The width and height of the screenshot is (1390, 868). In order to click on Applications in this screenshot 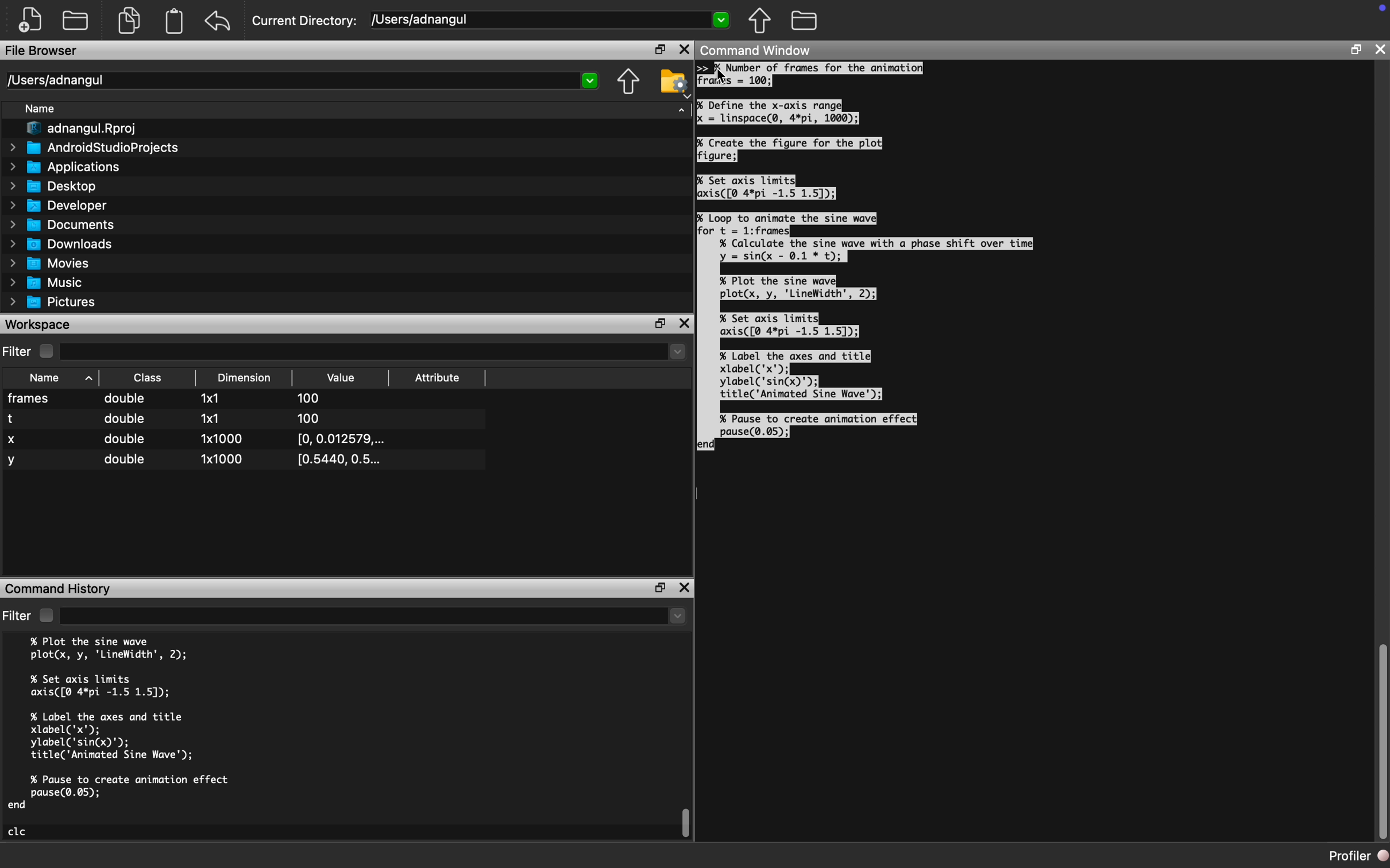, I will do `click(68, 169)`.